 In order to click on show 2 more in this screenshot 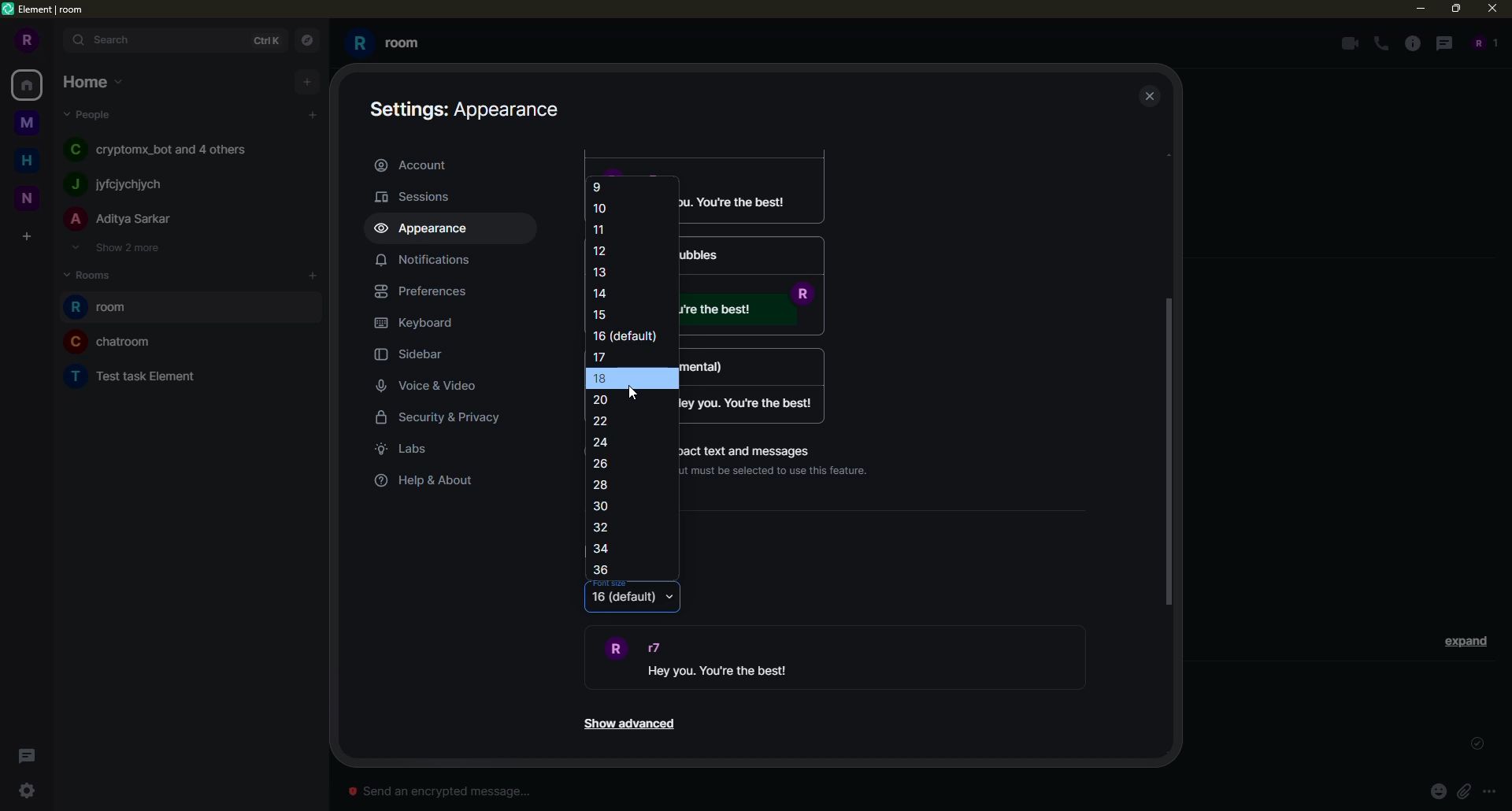, I will do `click(115, 247)`.